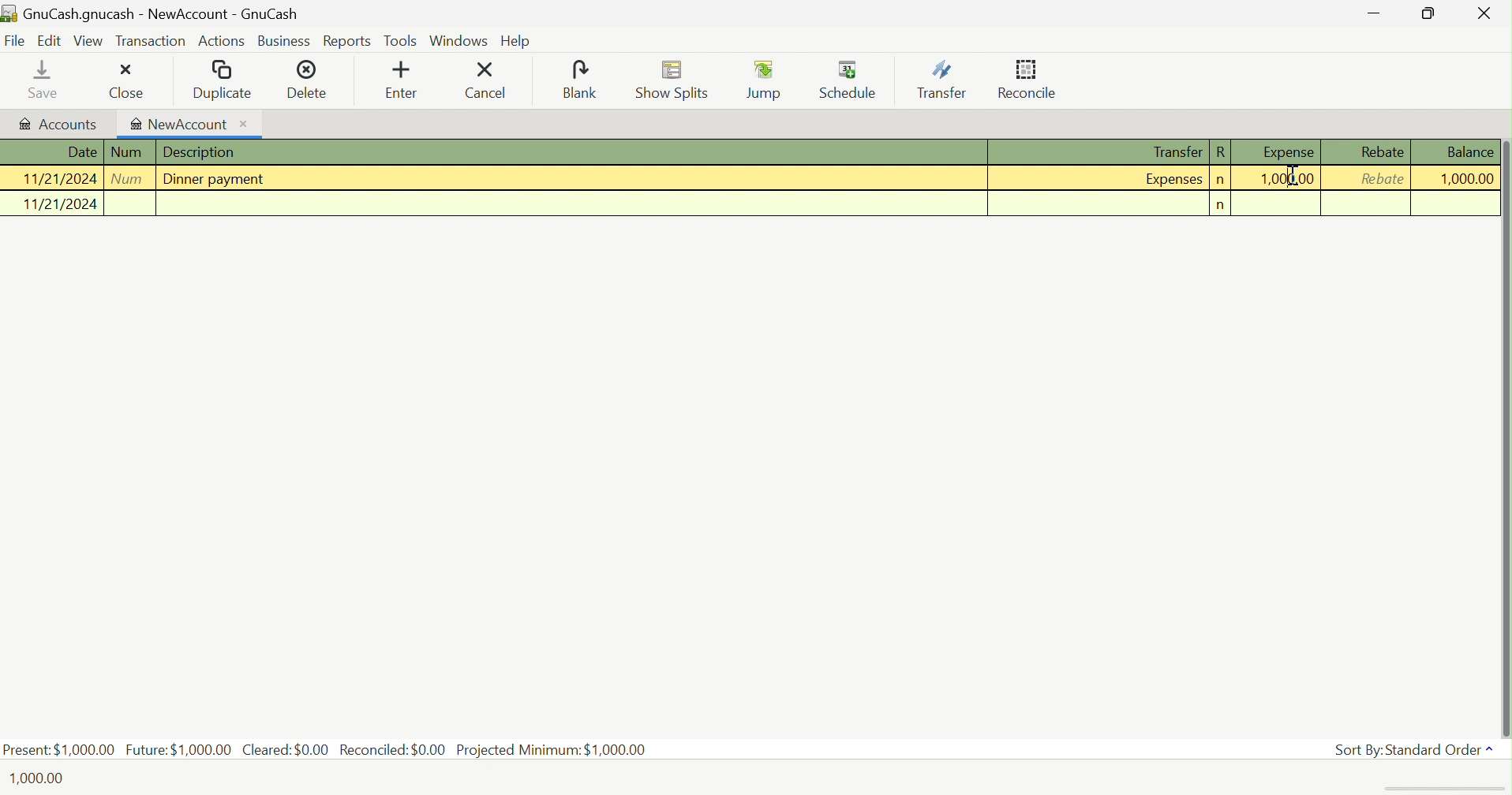  I want to click on Expense, so click(1286, 153).